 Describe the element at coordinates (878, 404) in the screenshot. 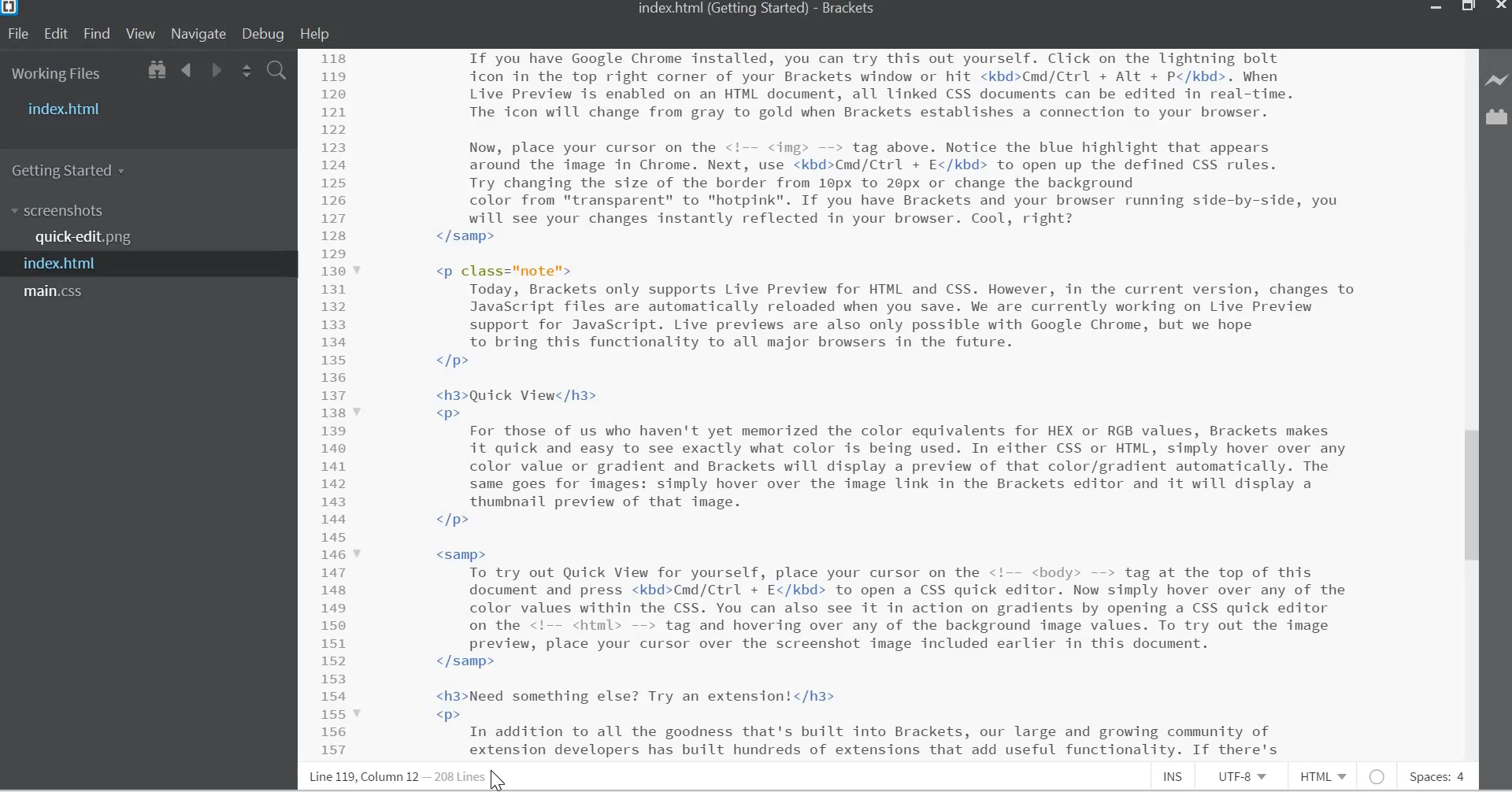

I see `CSS code for a website` at that location.